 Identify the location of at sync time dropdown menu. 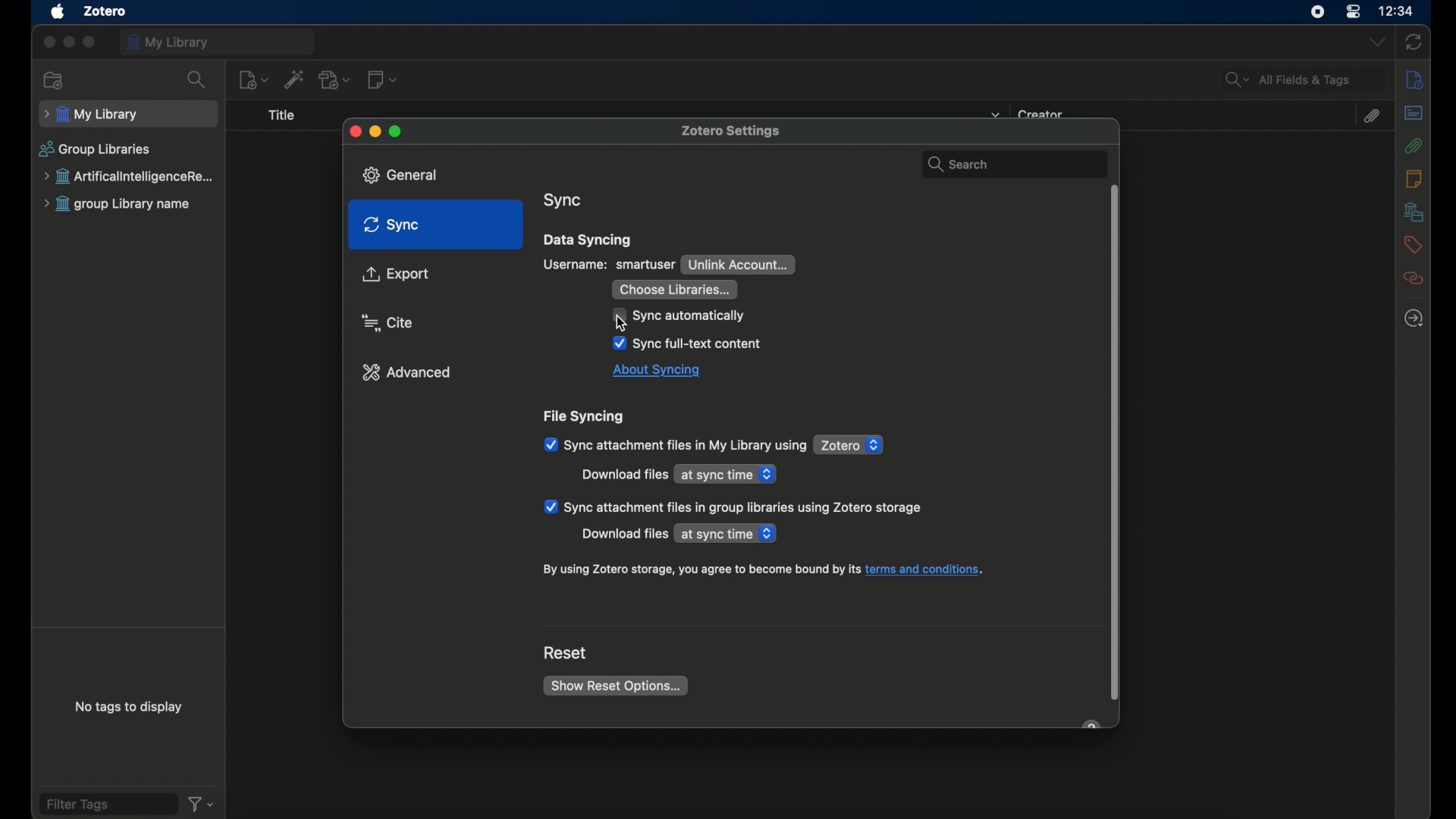
(728, 534).